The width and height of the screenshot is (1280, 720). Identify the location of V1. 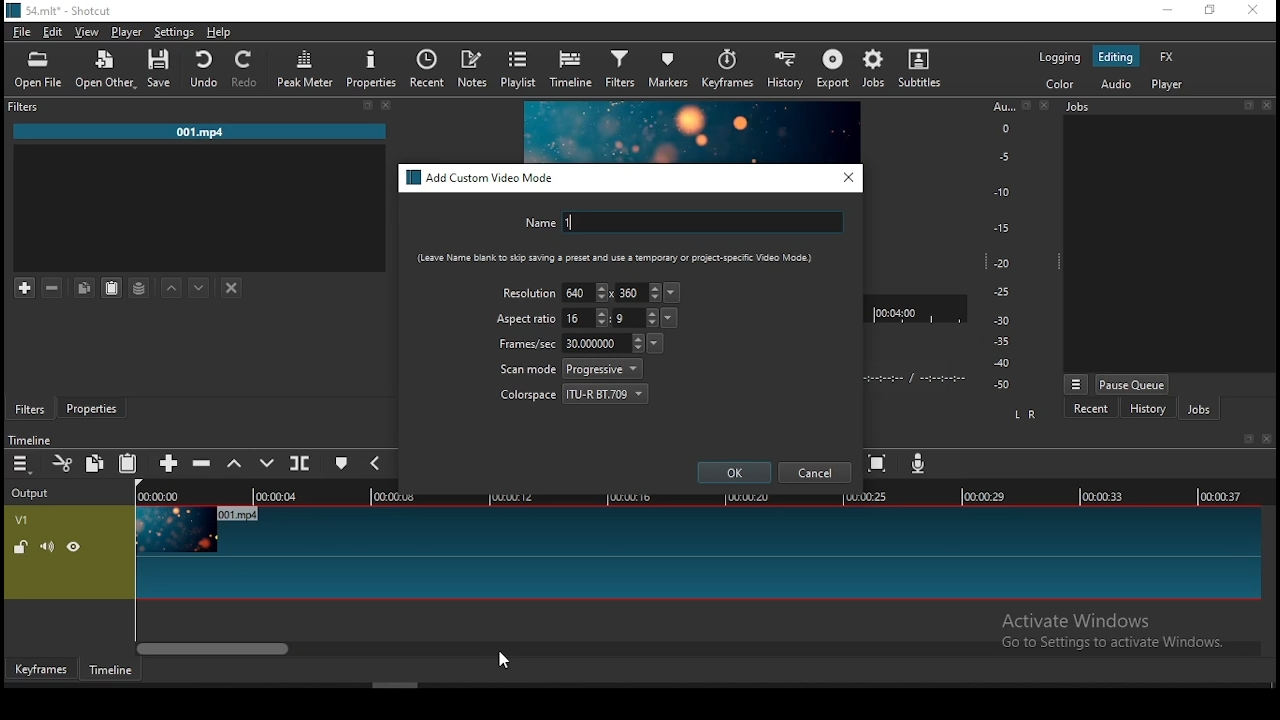
(20, 520).